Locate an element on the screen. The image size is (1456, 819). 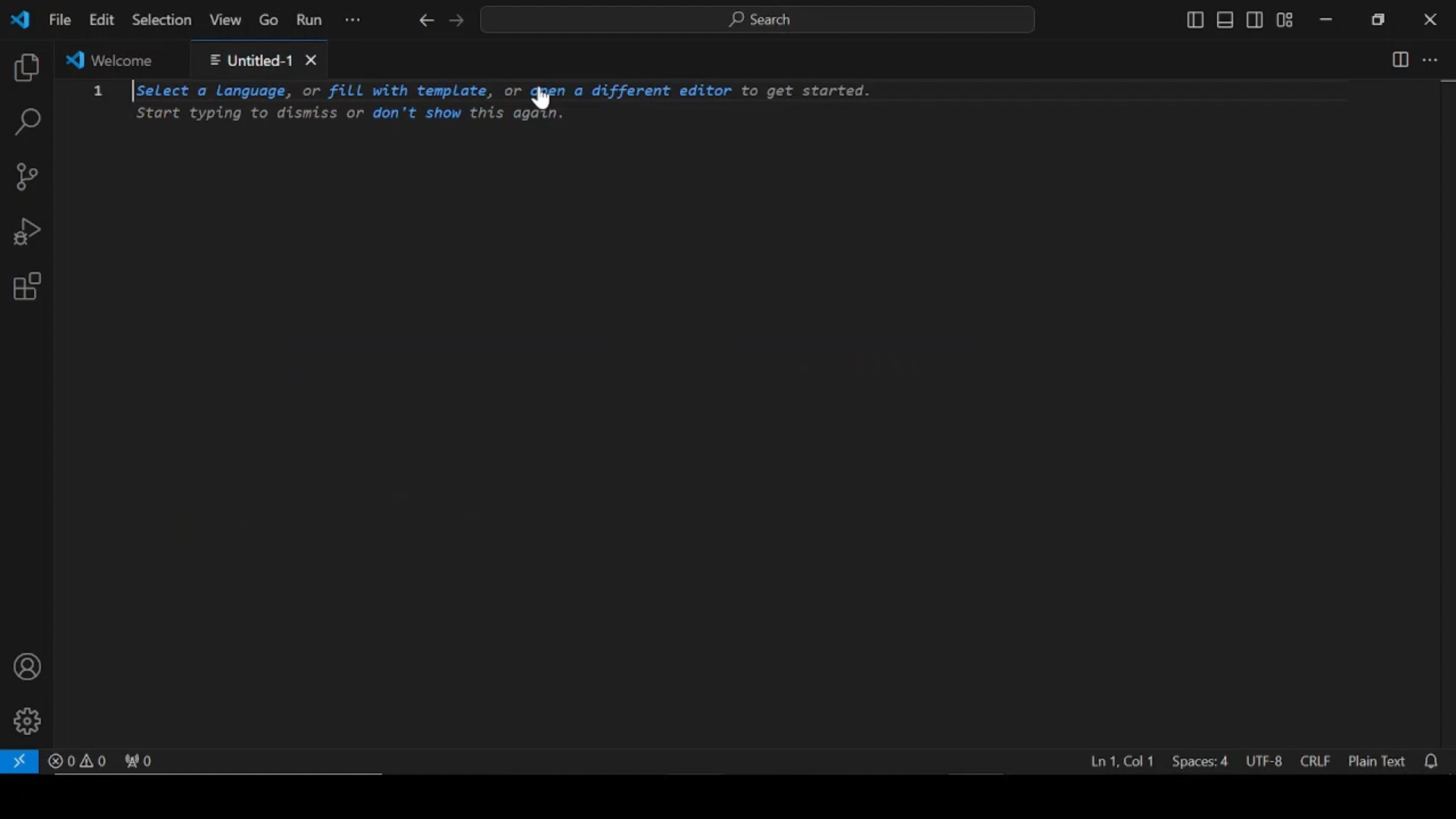
extensions is located at coordinates (27, 287).